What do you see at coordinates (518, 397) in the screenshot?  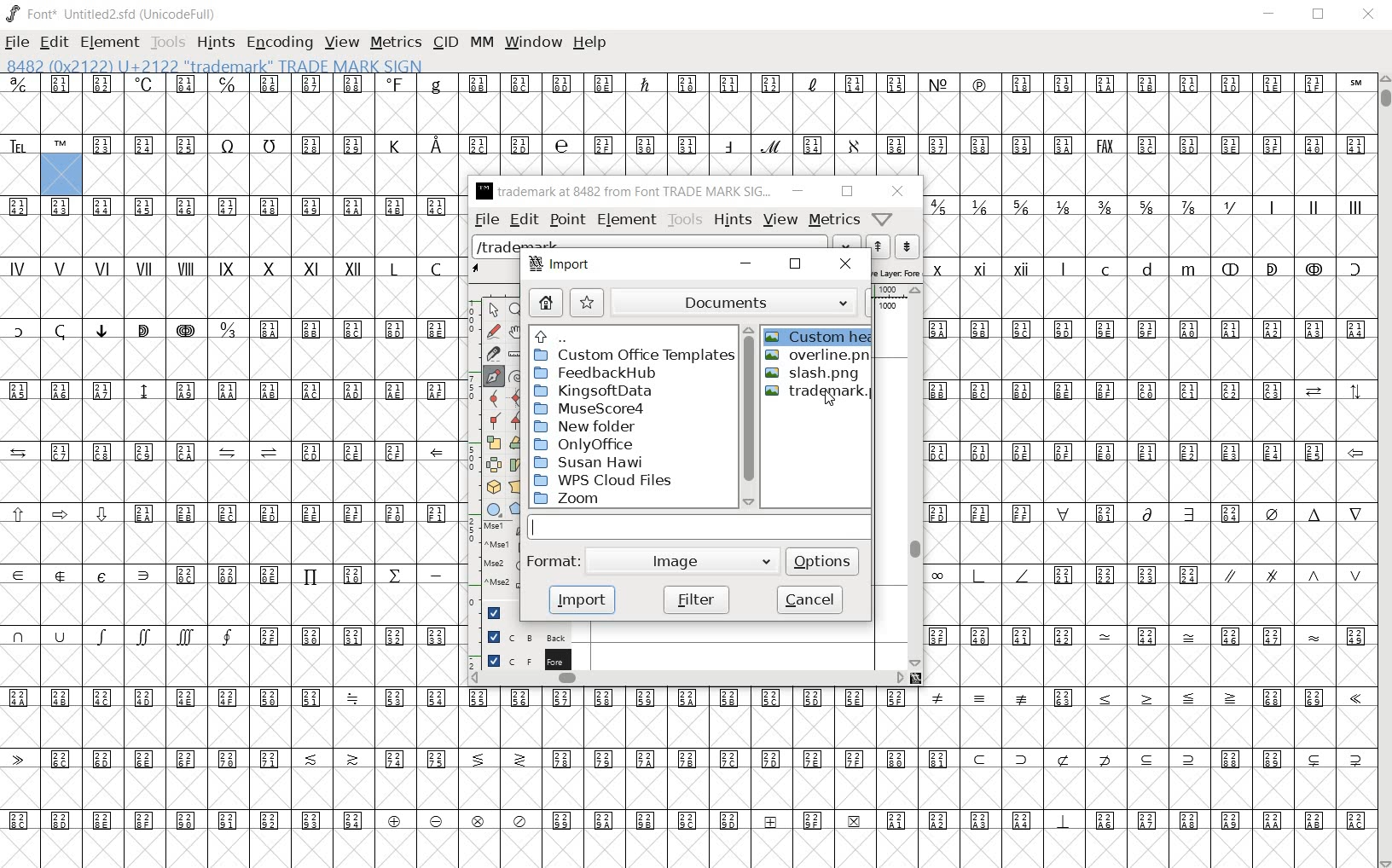 I see `add a curve point always either horizontal or vertical` at bounding box center [518, 397].